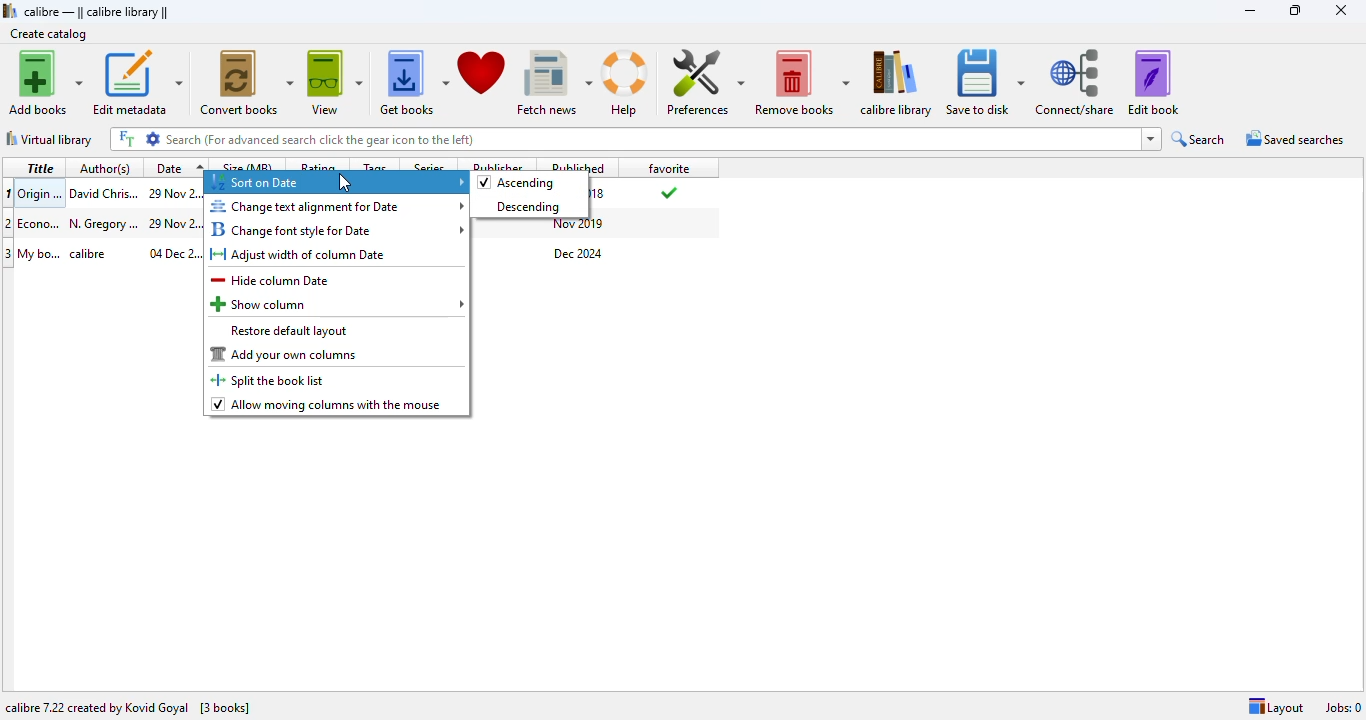  Describe the element at coordinates (1343, 708) in the screenshot. I see `jobs: 0` at that location.